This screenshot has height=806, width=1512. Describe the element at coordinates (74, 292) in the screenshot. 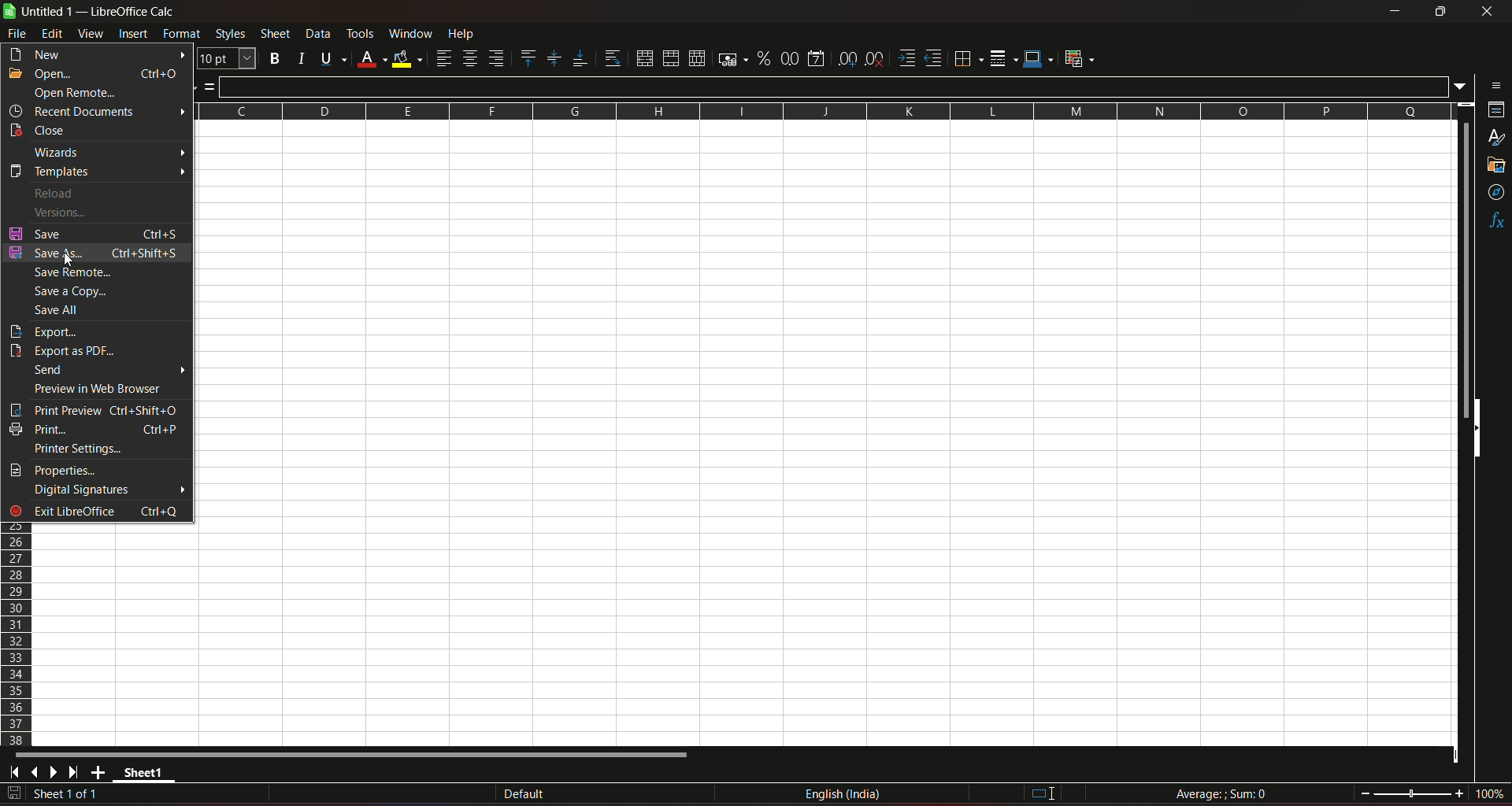

I see `save a copy` at that location.